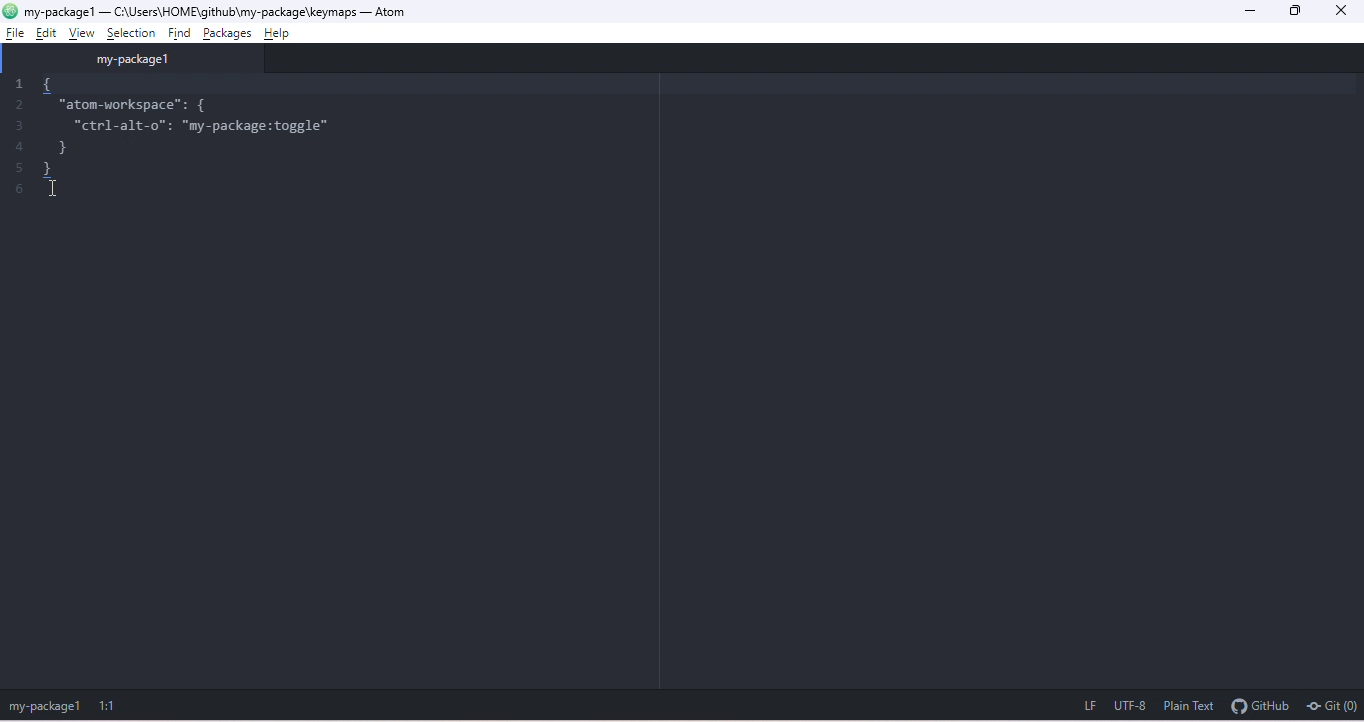 This screenshot has height=722, width=1364. I want to click on help, so click(281, 33).